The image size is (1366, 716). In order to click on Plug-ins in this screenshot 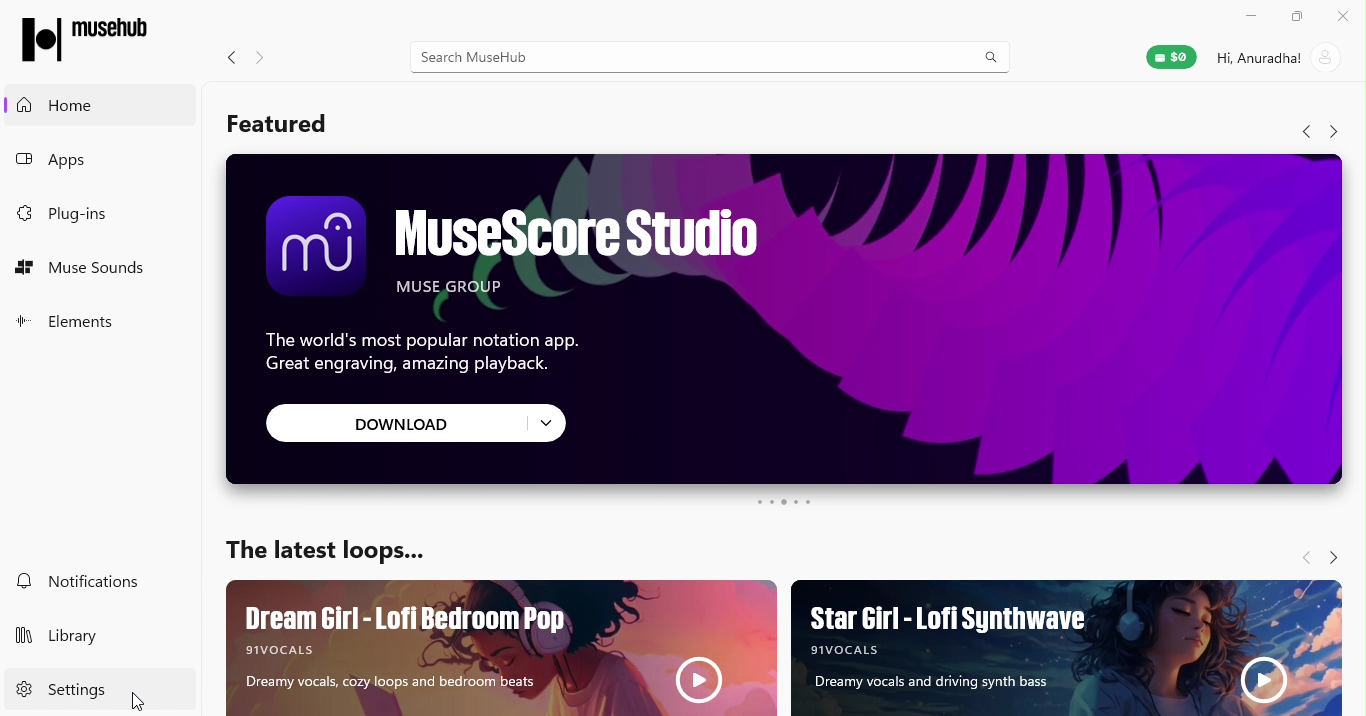, I will do `click(84, 218)`.